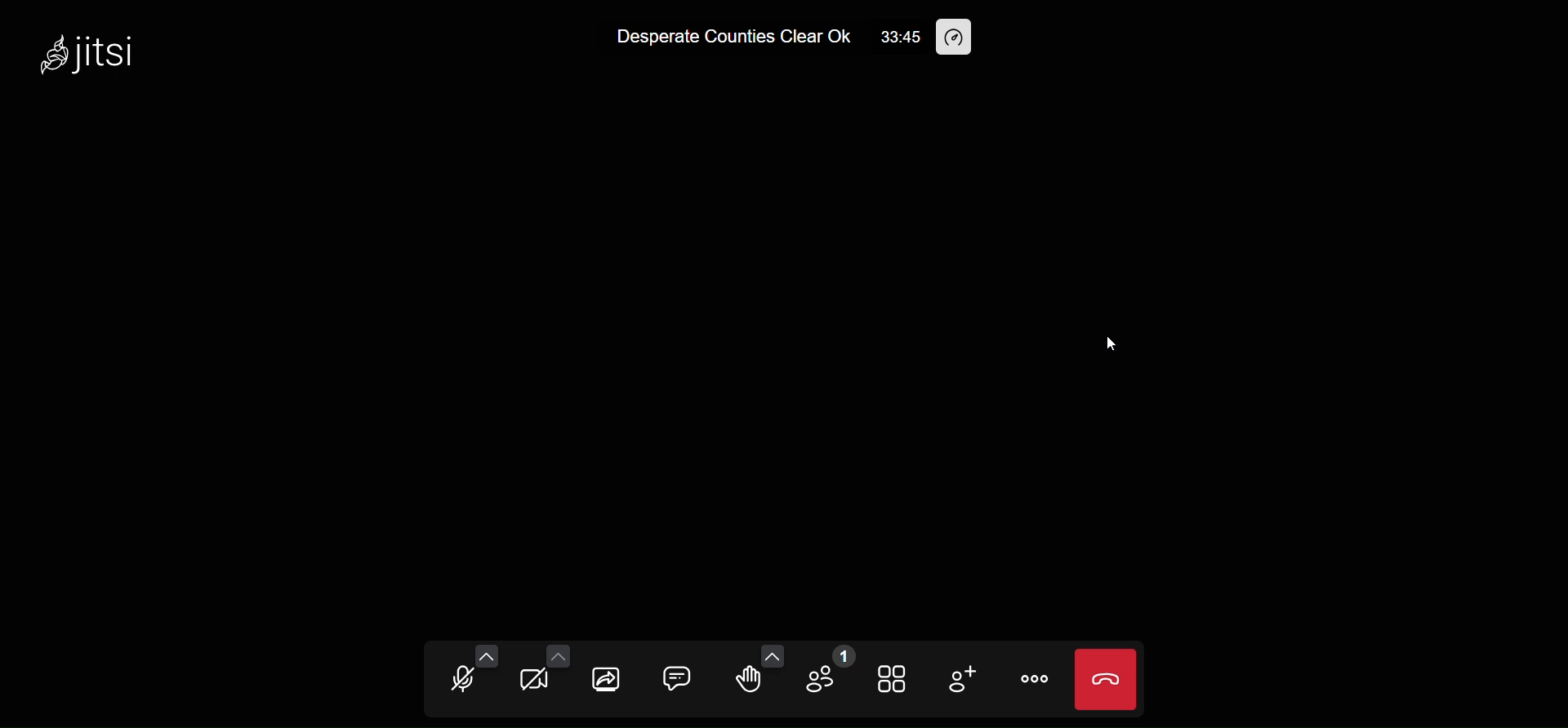 This screenshot has height=728, width=1568. I want to click on leave call, so click(1106, 678).